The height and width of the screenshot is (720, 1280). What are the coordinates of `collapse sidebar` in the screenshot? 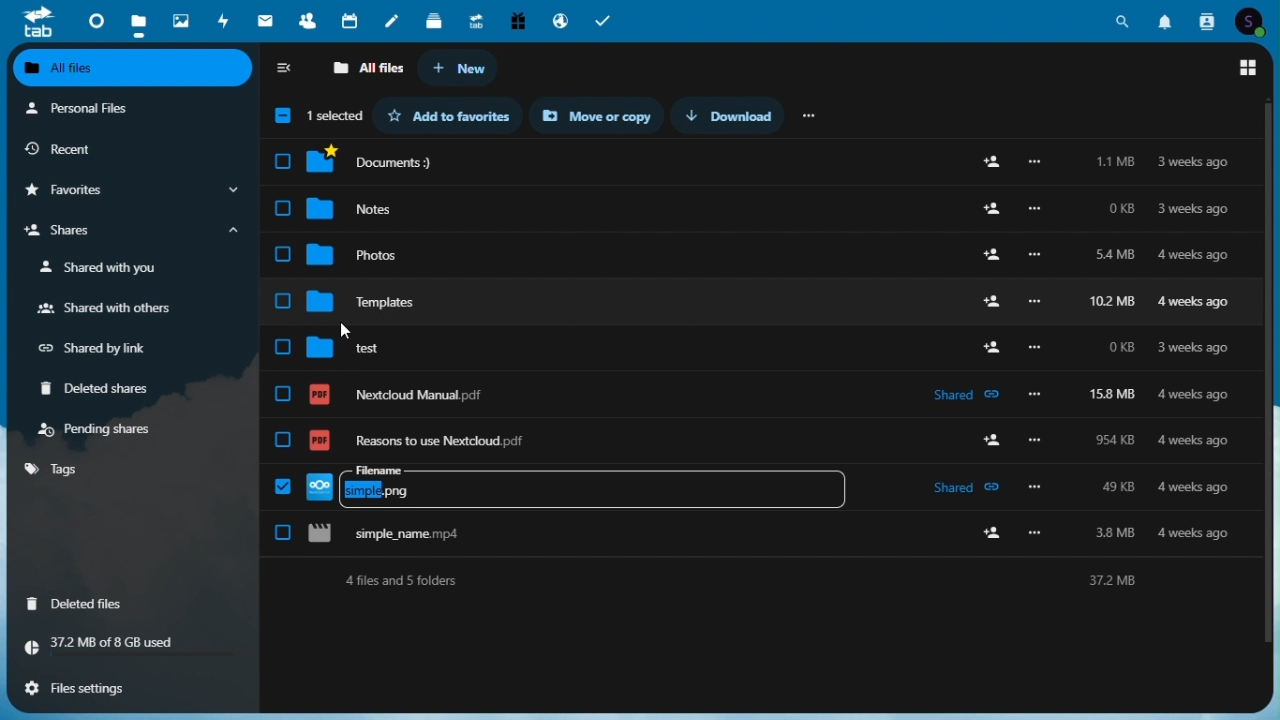 It's located at (286, 70).